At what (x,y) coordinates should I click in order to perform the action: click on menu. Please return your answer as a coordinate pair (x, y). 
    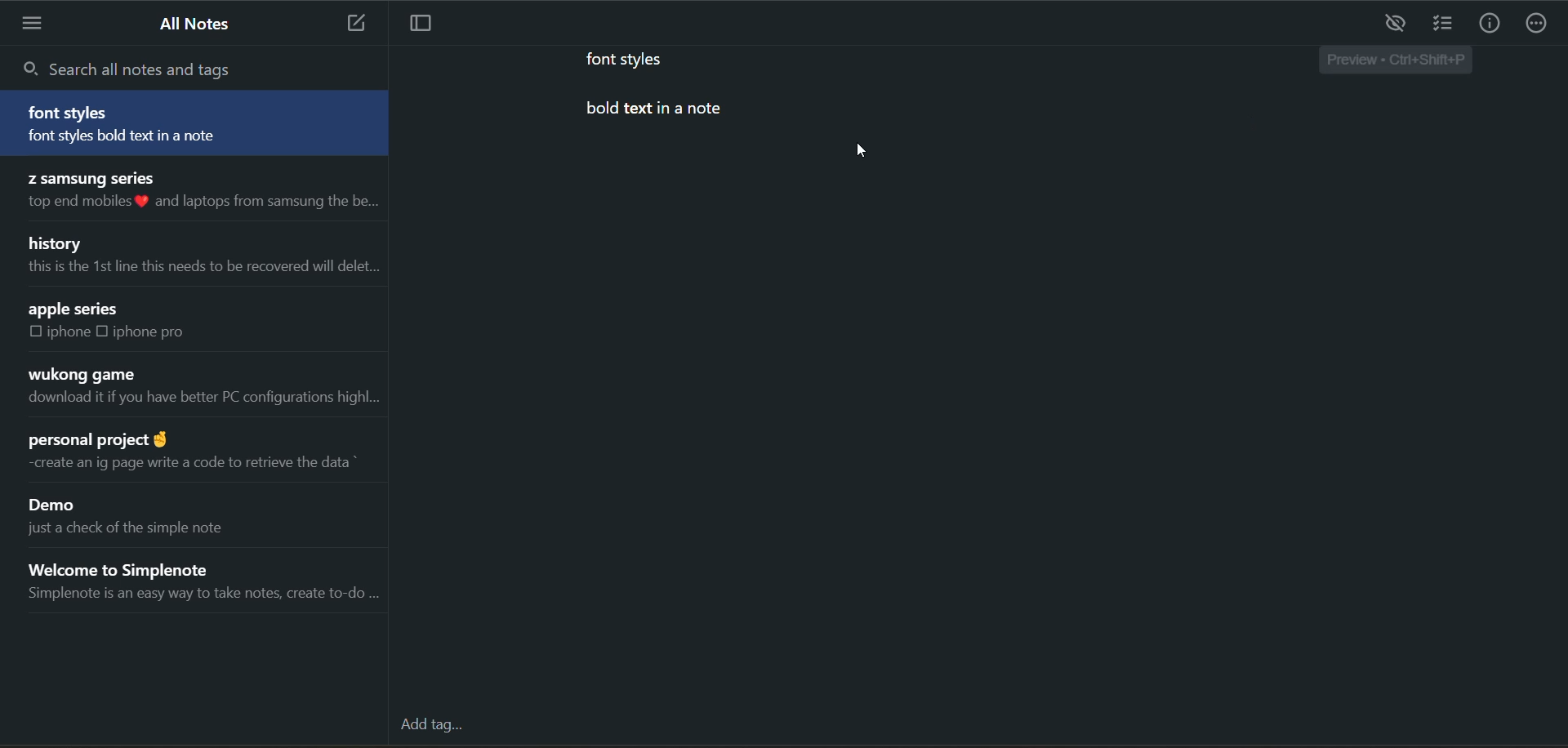
    Looking at the image, I should click on (35, 23).